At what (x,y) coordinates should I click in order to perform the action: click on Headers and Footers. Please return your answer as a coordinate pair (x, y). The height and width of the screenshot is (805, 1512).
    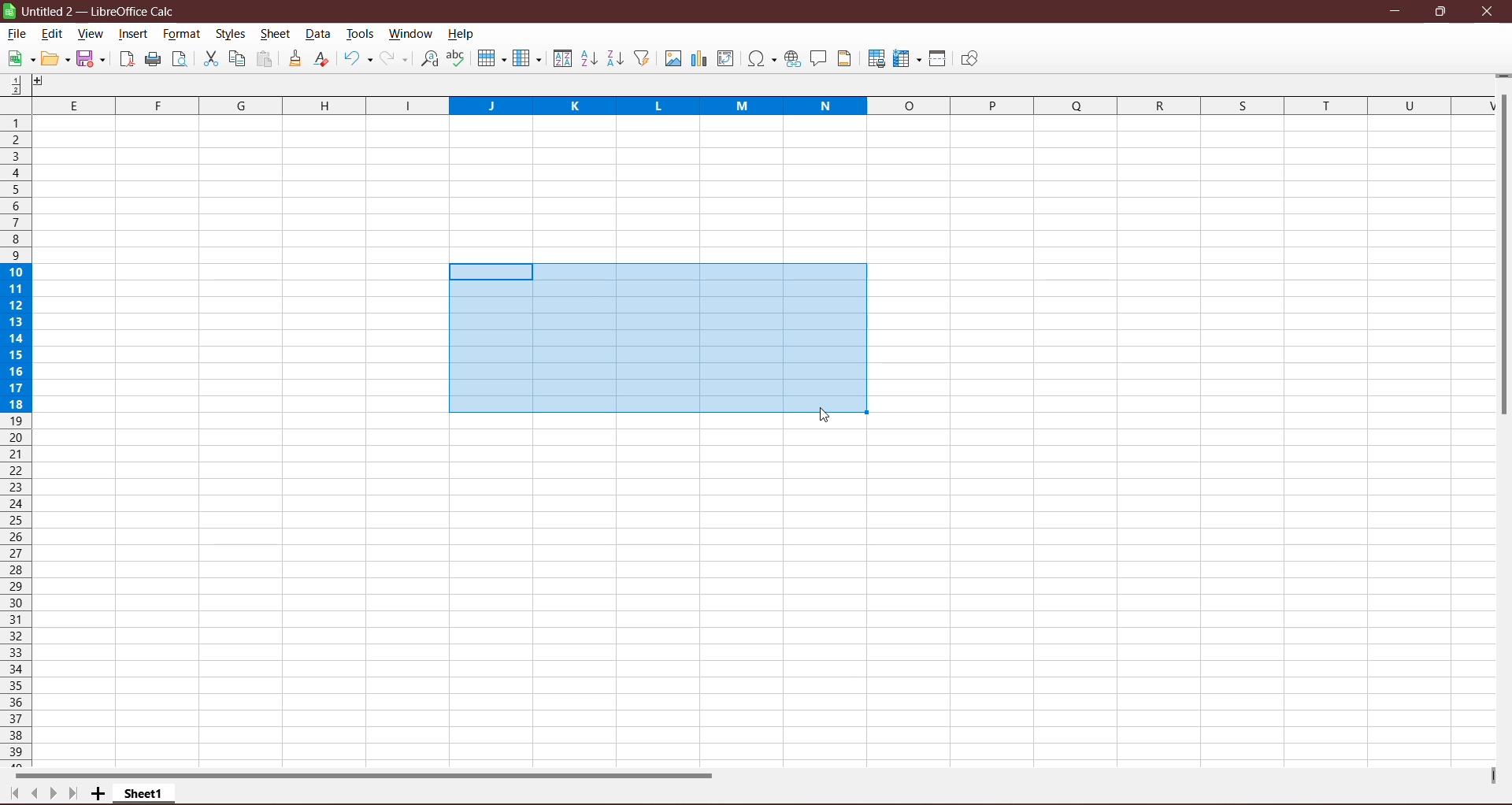
    Looking at the image, I should click on (847, 58).